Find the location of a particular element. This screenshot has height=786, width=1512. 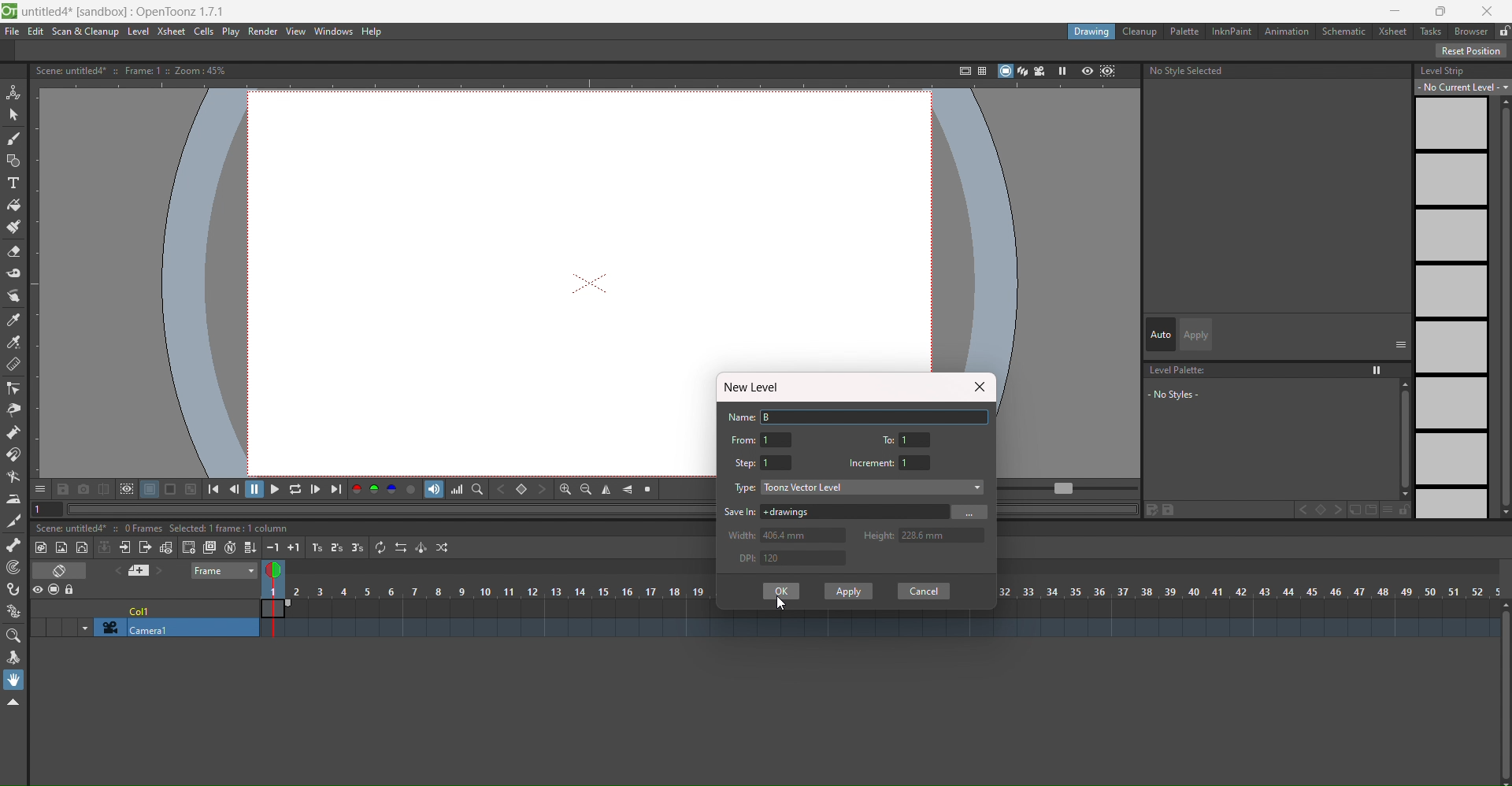

frame is located at coordinates (225, 572).